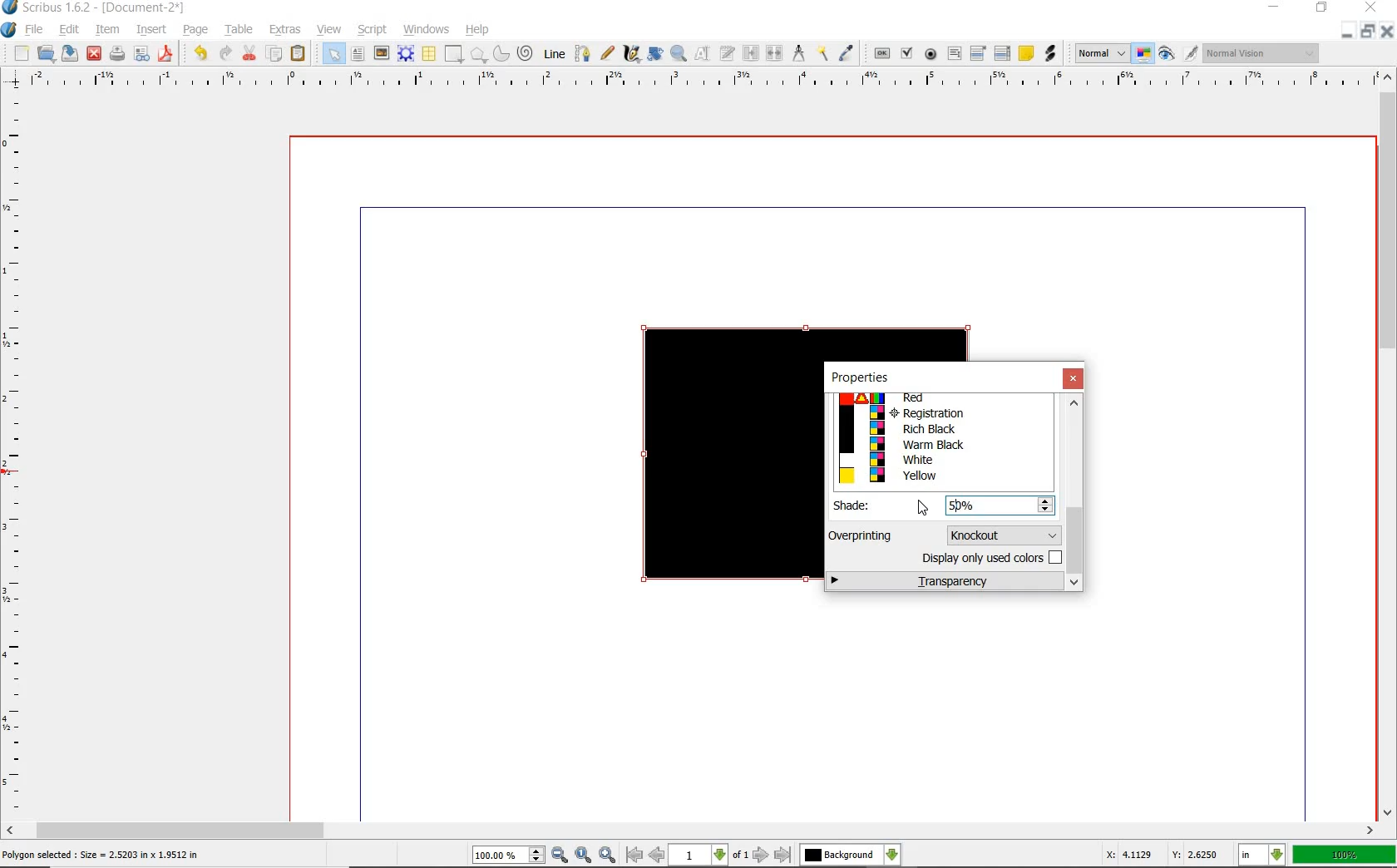 The height and width of the screenshot is (868, 1397). I want to click on new, so click(22, 53).